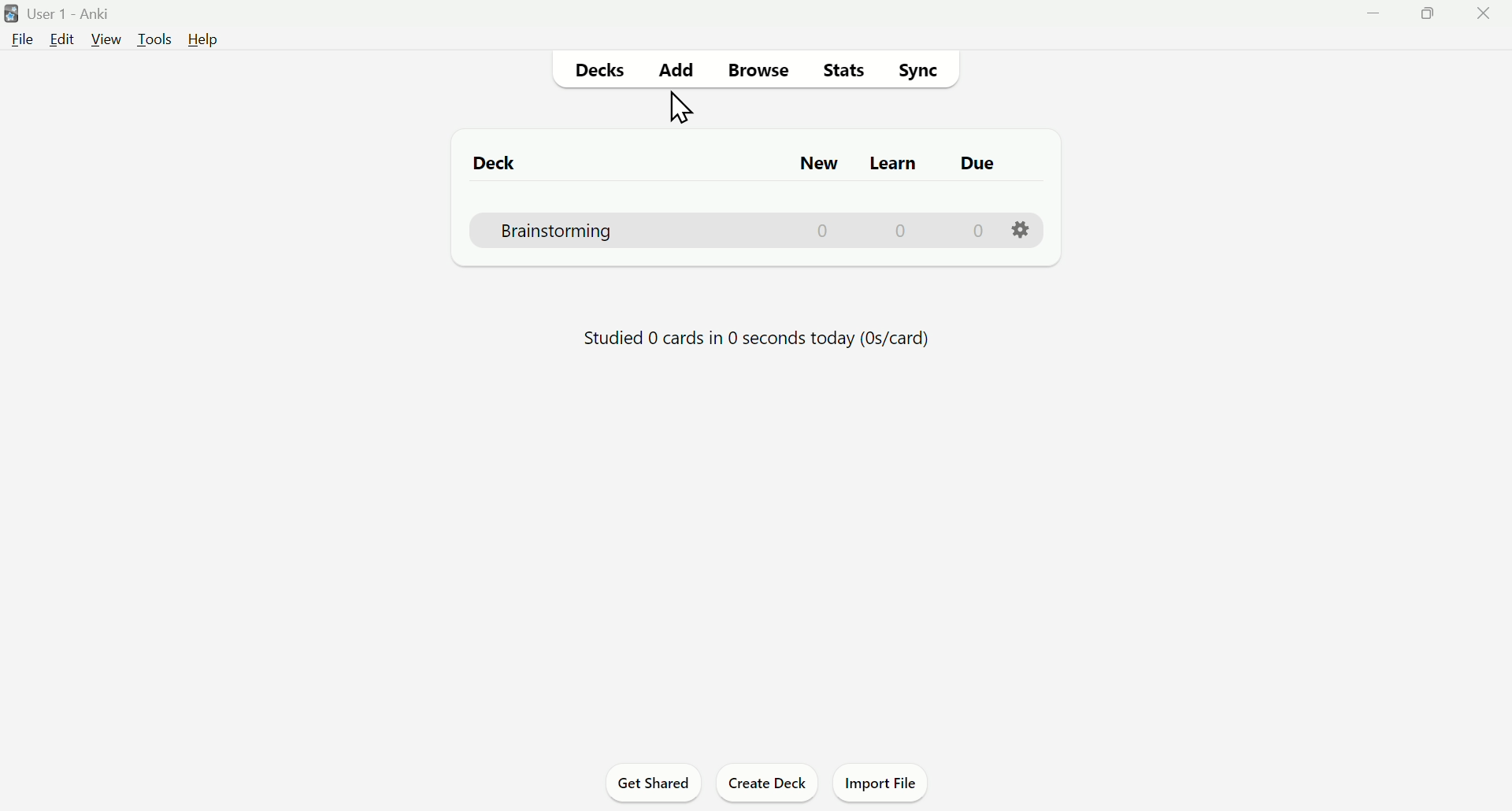 This screenshot has width=1512, height=811. I want to click on User 1 - Anki, so click(60, 12).